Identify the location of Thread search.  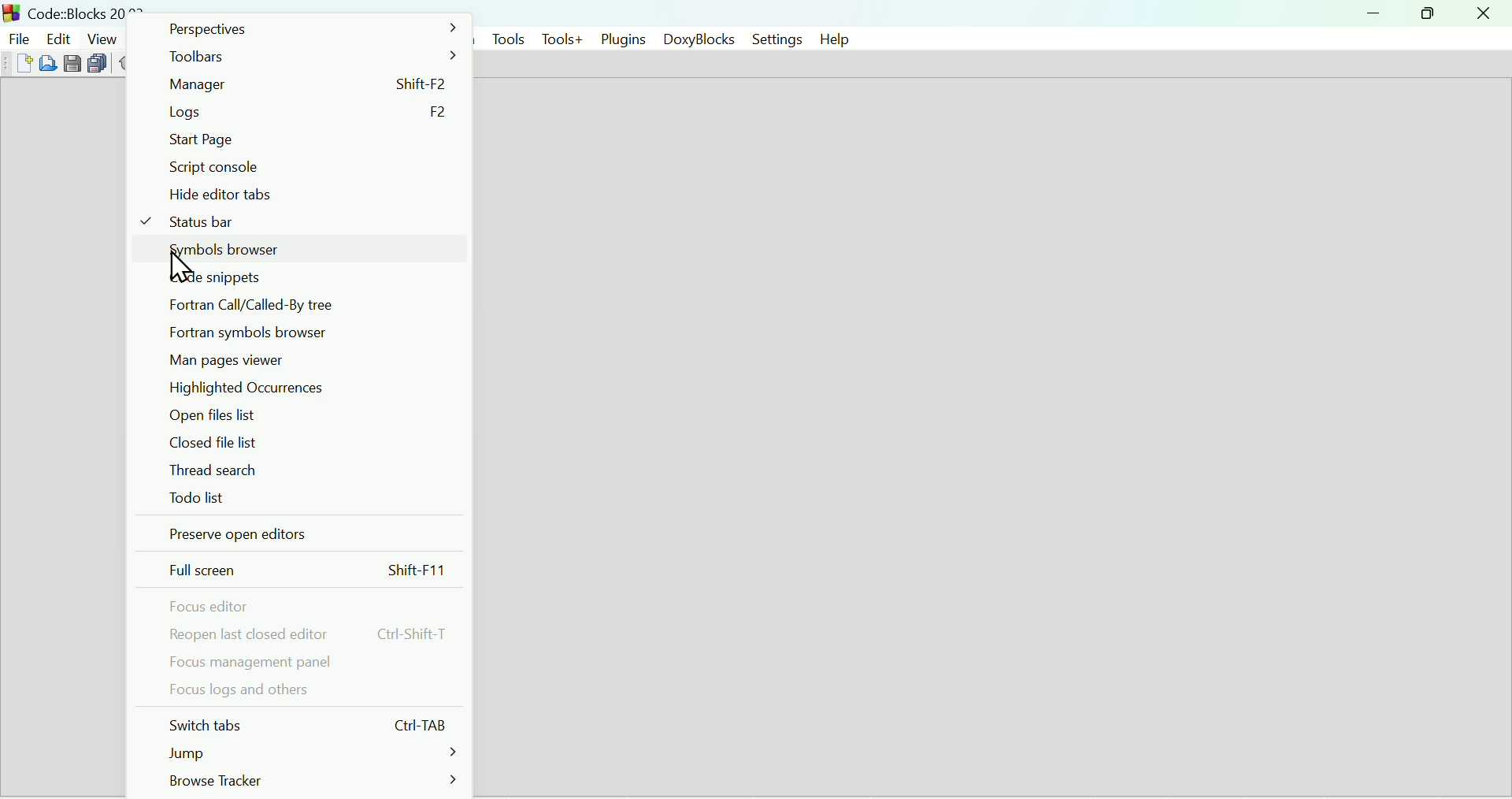
(303, 469).